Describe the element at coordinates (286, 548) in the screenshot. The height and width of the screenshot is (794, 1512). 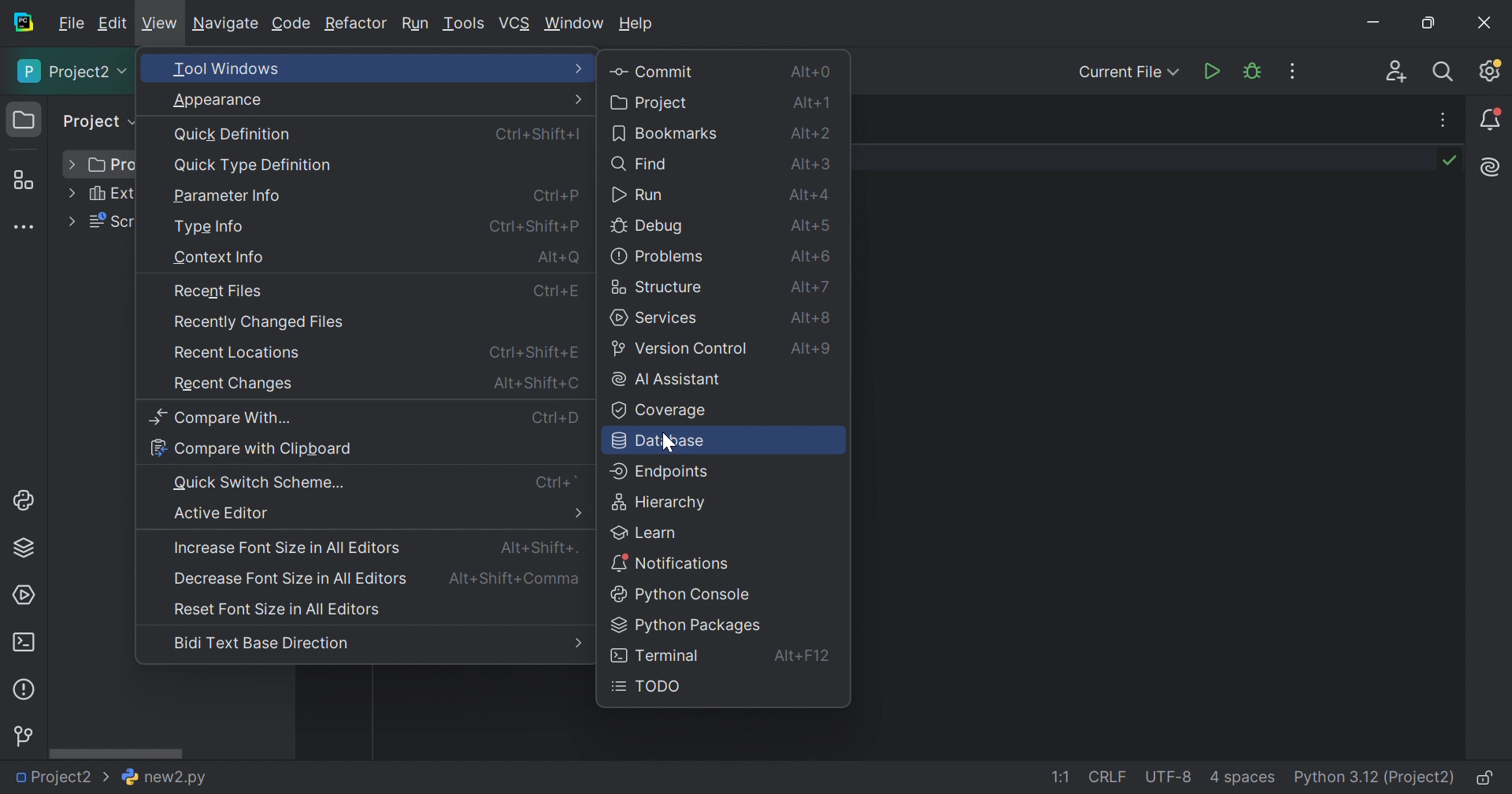
I see `Increase font size in all editors` at that location.